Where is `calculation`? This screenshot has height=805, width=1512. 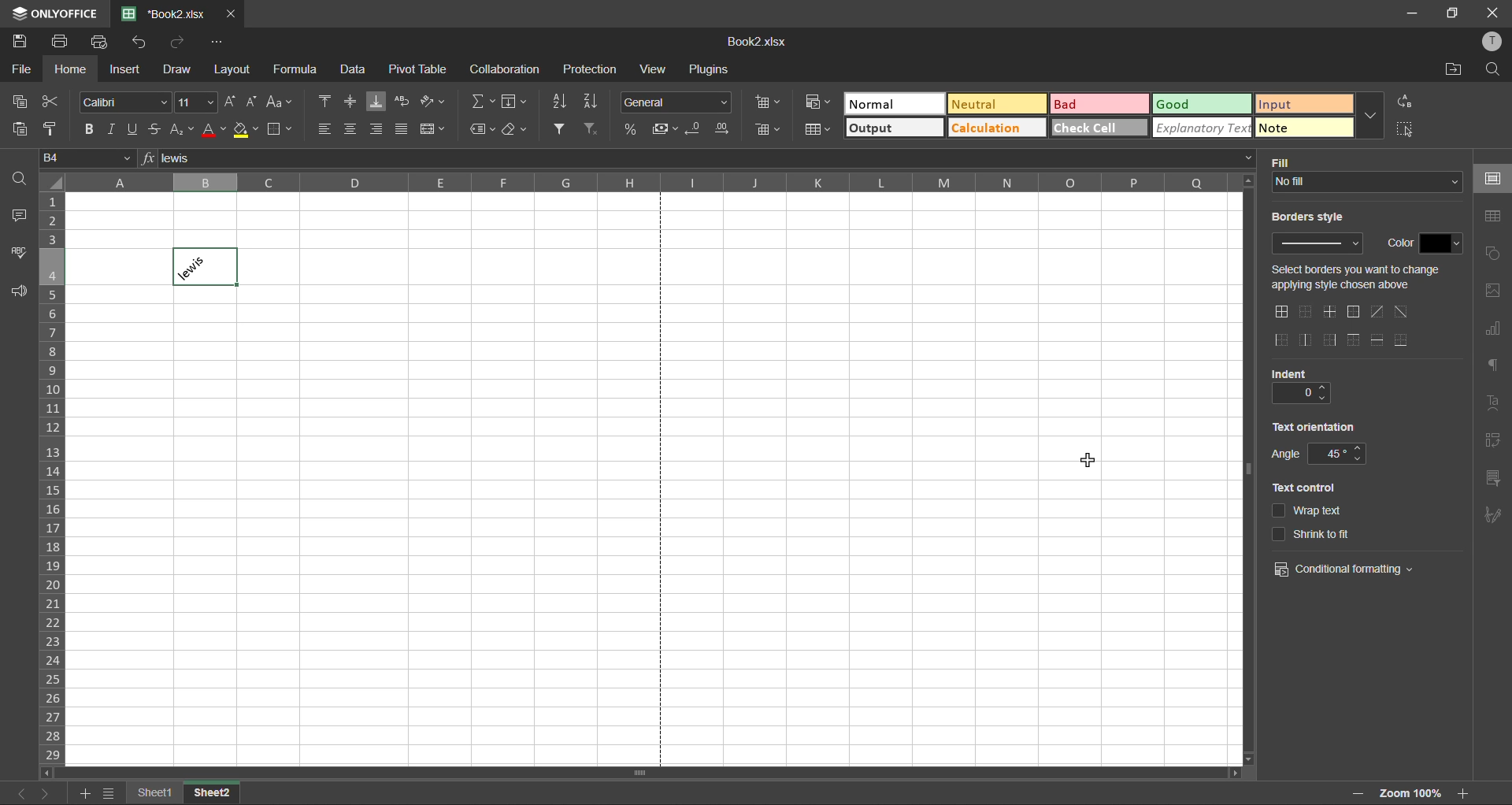
calculation is located at coordinates (995, 129).